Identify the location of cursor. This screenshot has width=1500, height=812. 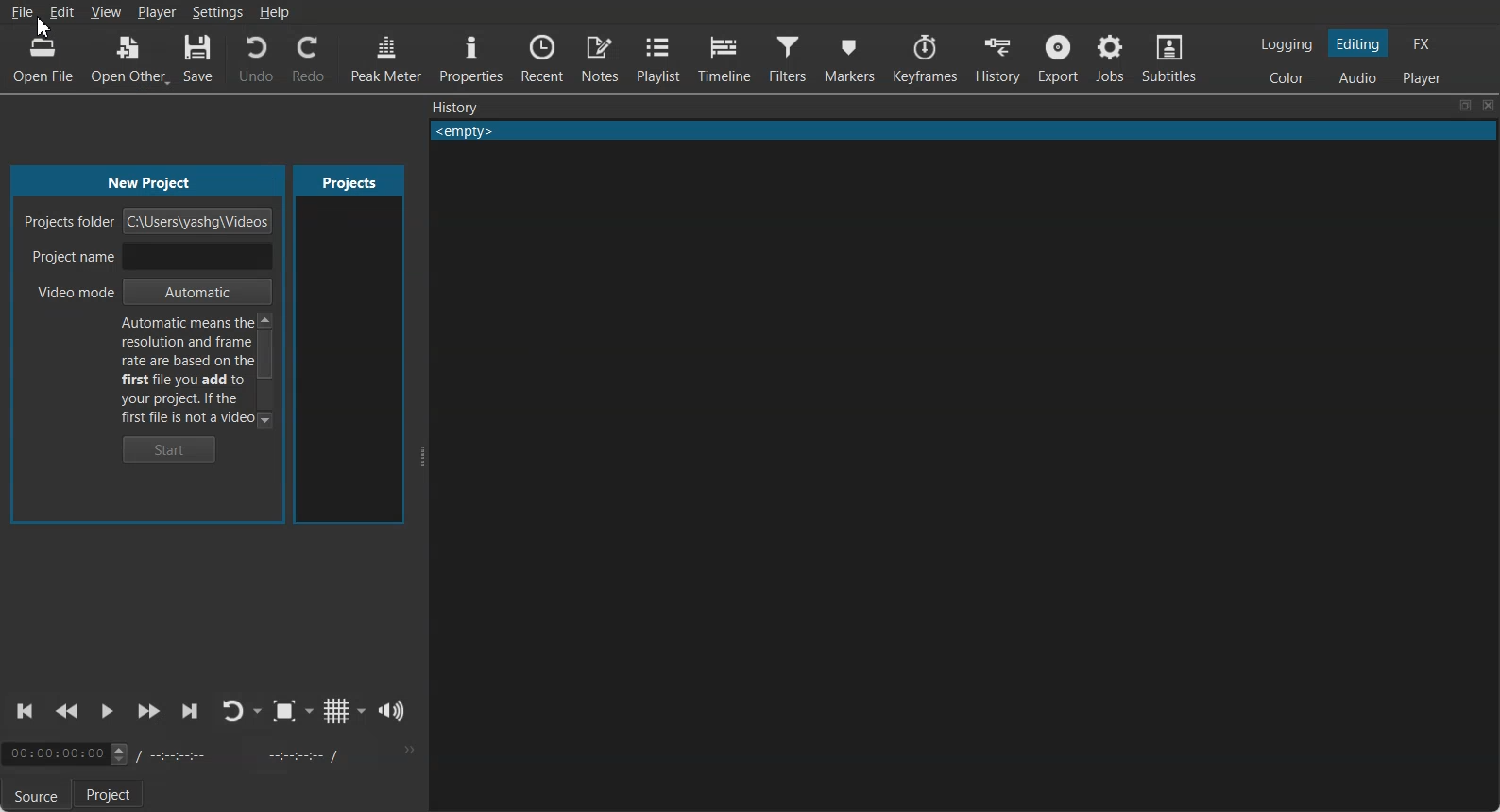
(42, 26).